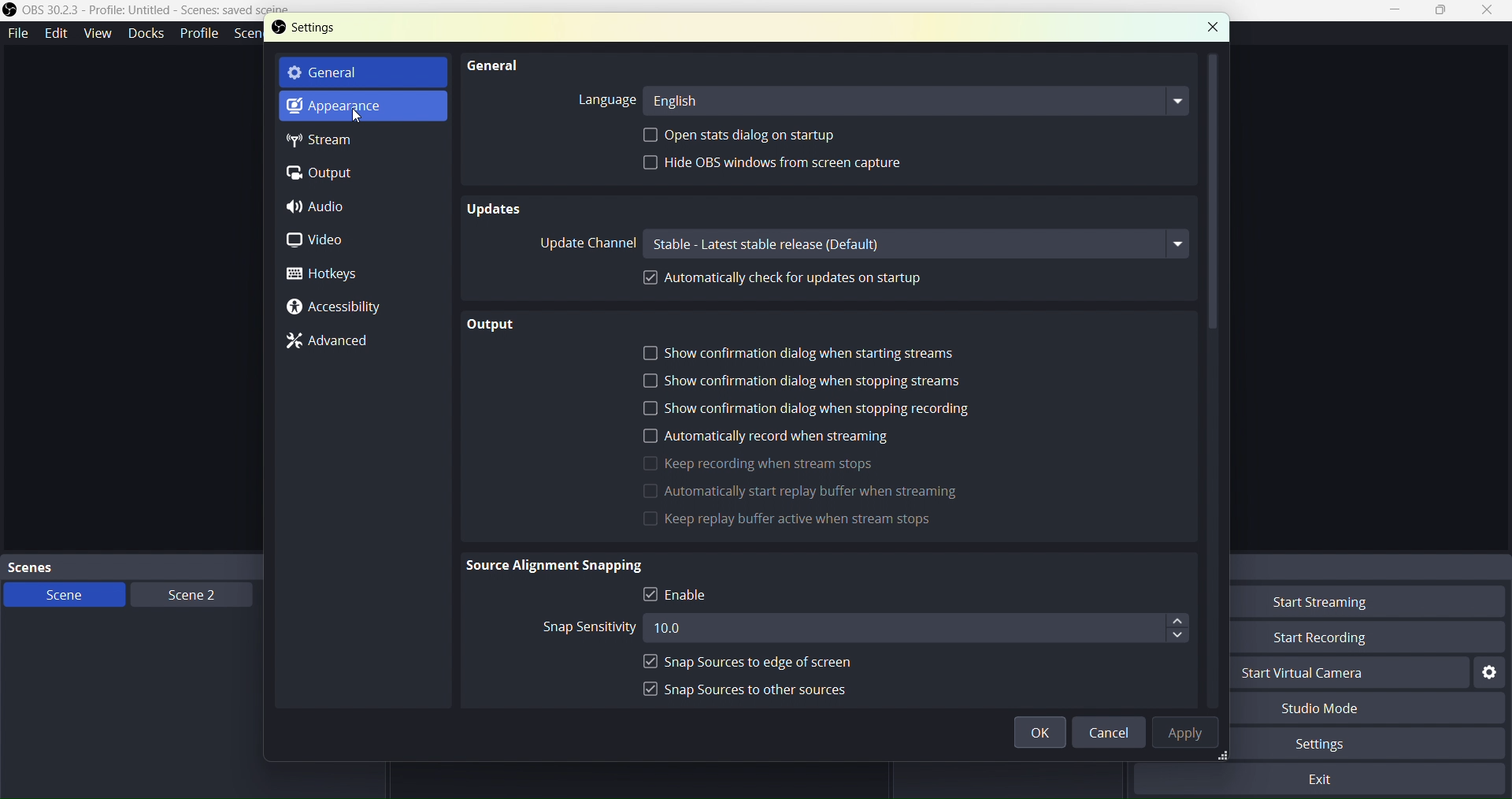 Image resolution: width=1512 pixels, height=799 pixels. I want to click on Automatically check for updates on startup, so click(804, 277).